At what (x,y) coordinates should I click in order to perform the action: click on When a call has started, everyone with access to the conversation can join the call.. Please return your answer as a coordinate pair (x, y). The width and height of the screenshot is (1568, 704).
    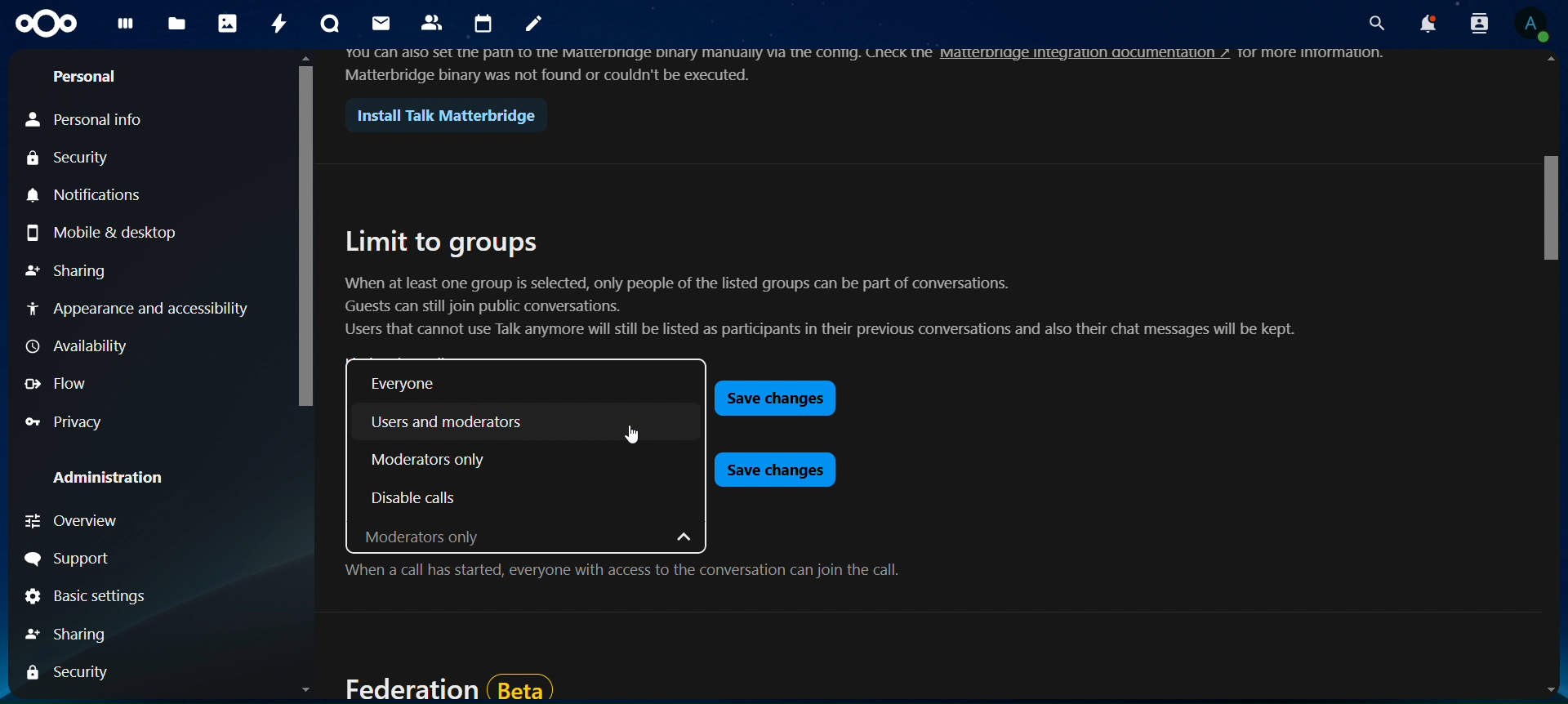
    Looking at the image, I should click on (622, 575).